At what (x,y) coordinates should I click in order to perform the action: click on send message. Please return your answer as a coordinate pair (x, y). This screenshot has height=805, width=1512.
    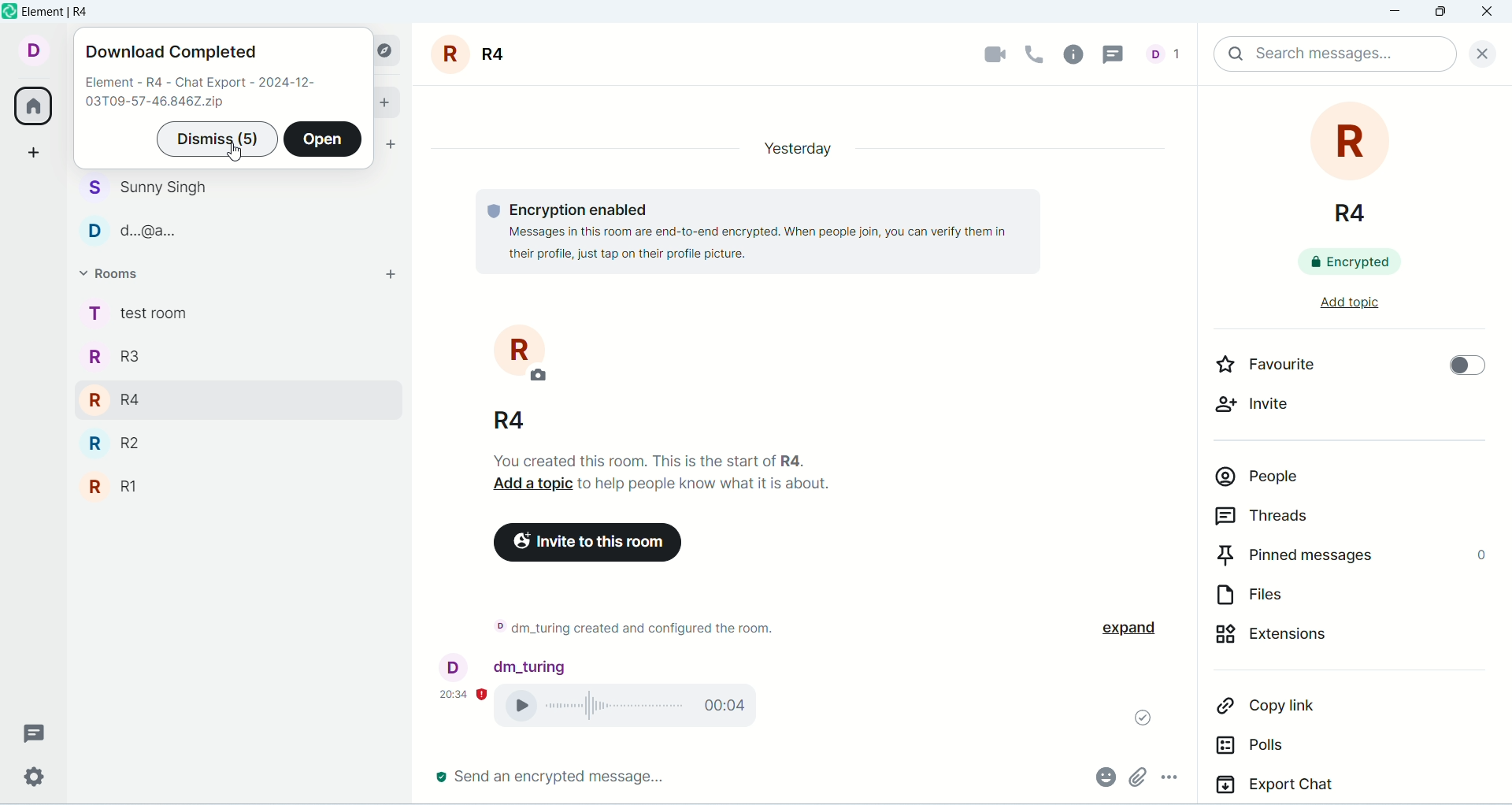
    Looking at the image, I should click on (552, 777).